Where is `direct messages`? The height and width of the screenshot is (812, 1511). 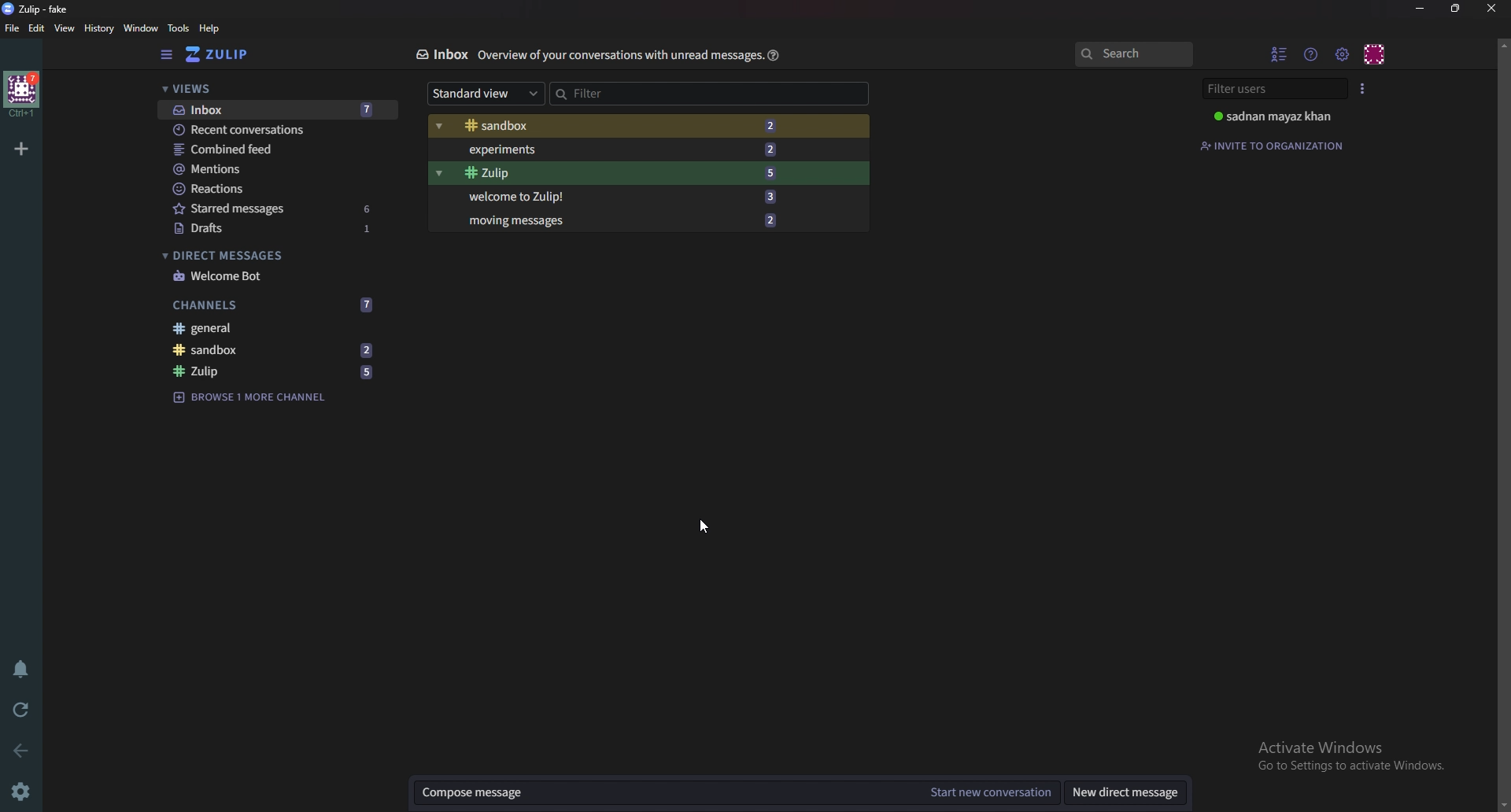
direct messages is located at coordinates (270, 255).